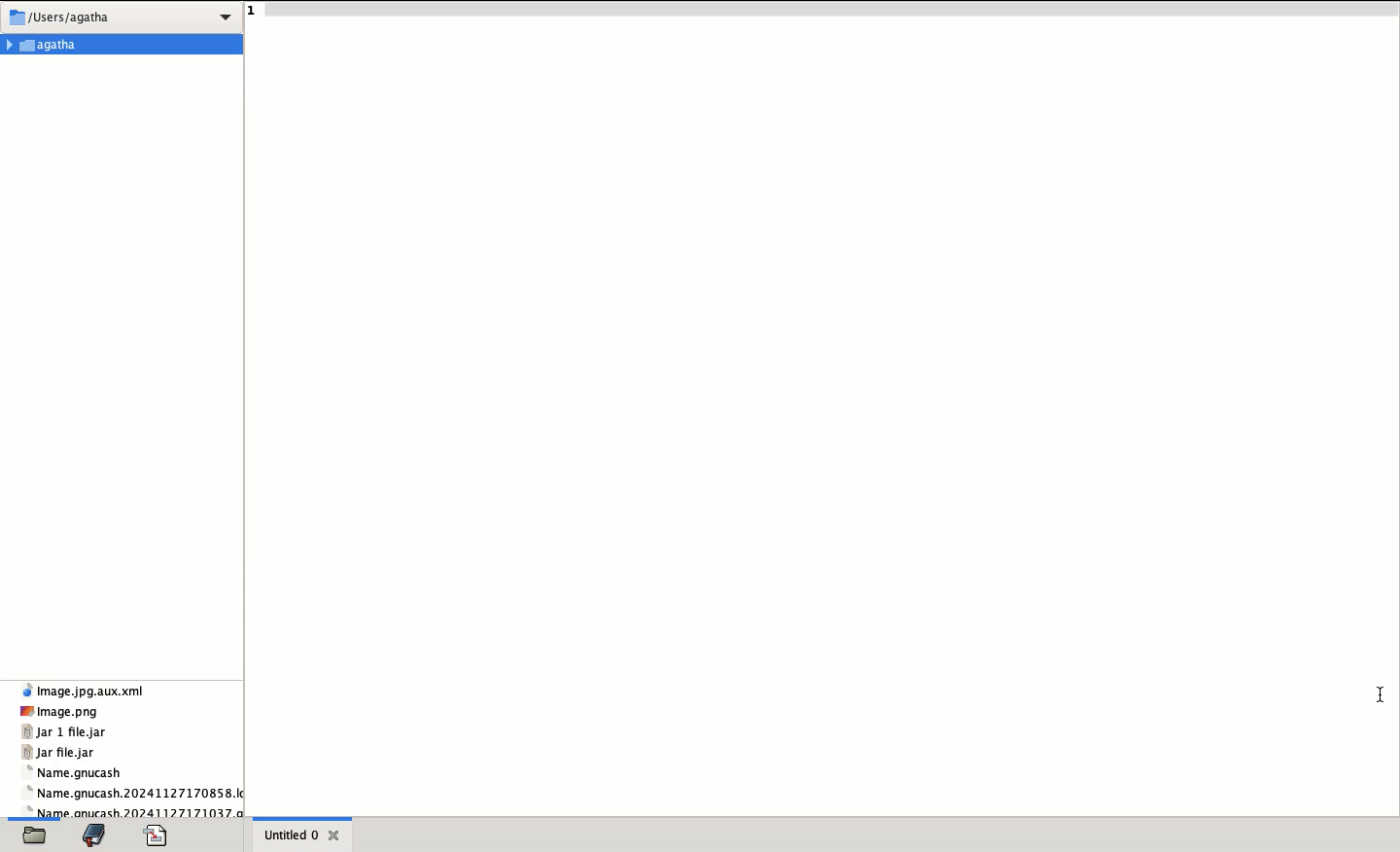 The height and width of the screenshot is (852, 1400). I want to click on Name.gnucash 2024 1127 171037, so click(138, 810).